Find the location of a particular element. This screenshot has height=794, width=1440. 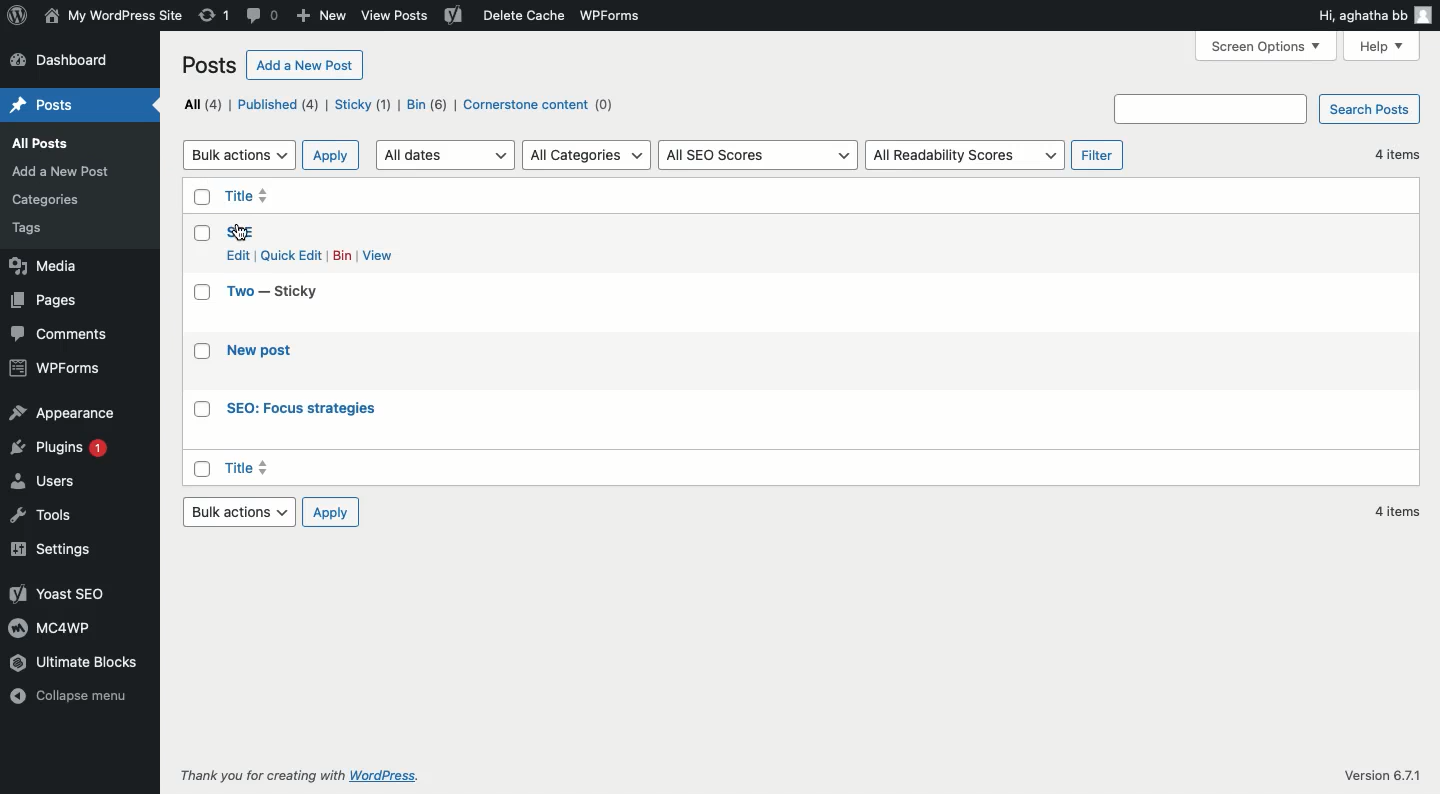

4 items is located at coordinates (1399, 512).